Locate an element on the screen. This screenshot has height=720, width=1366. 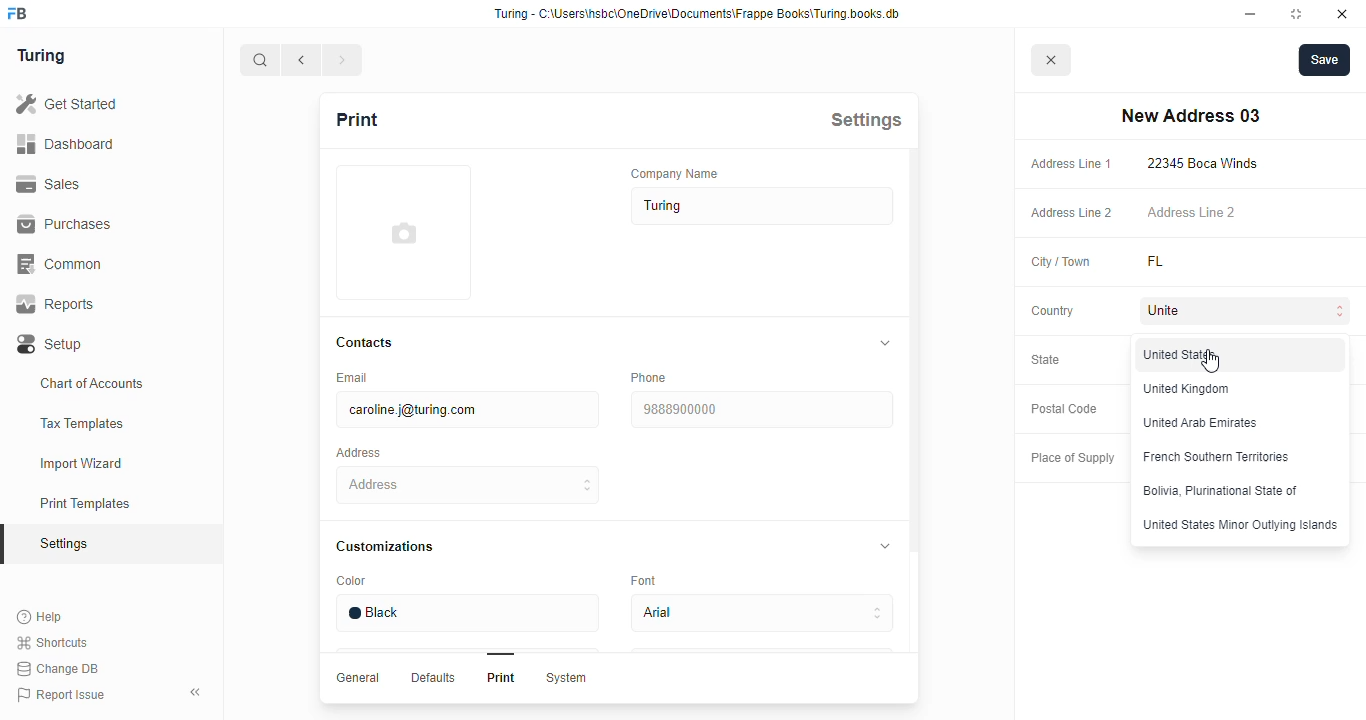
arial is located at coordinates (761, 614).